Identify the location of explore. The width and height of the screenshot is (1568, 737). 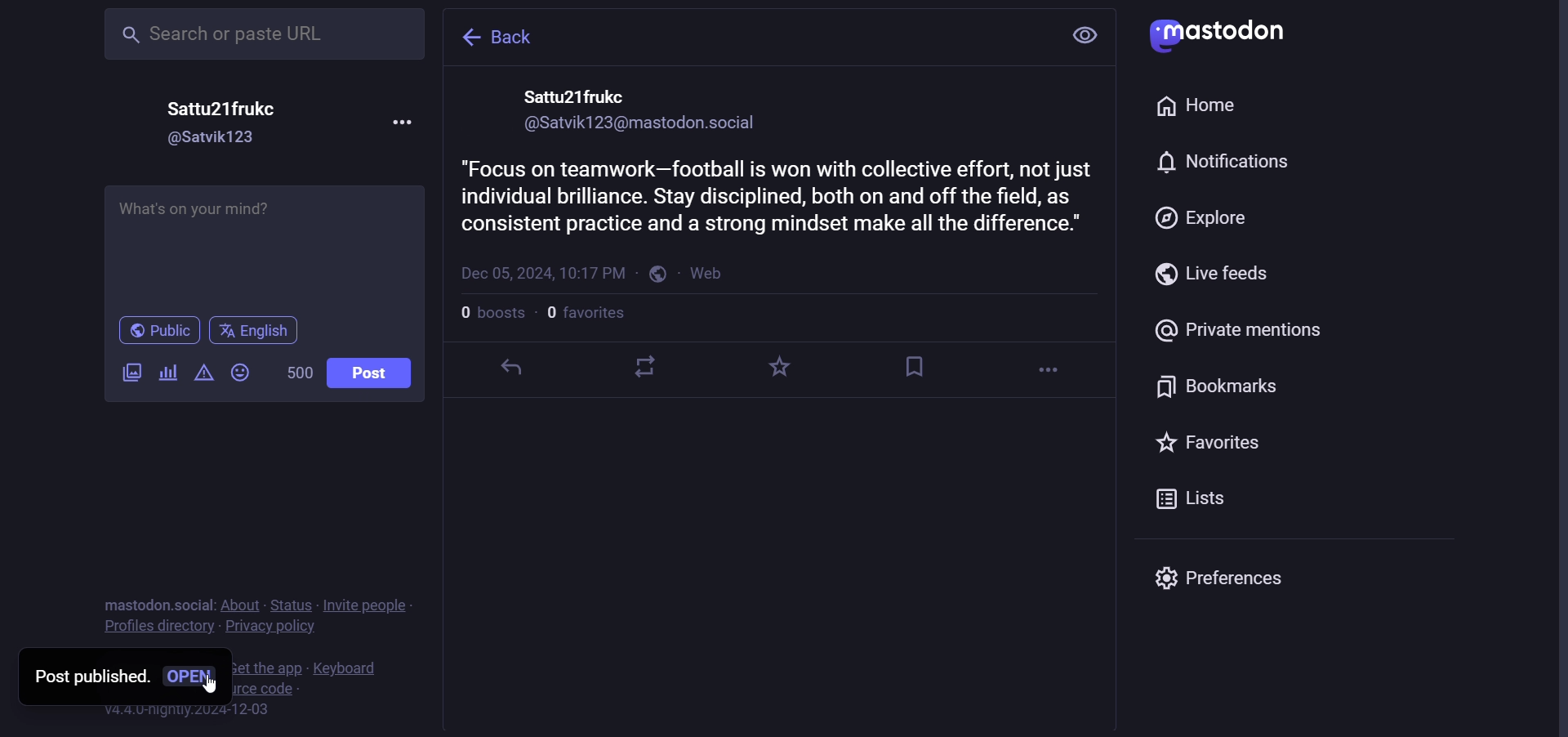
(1204, 220).